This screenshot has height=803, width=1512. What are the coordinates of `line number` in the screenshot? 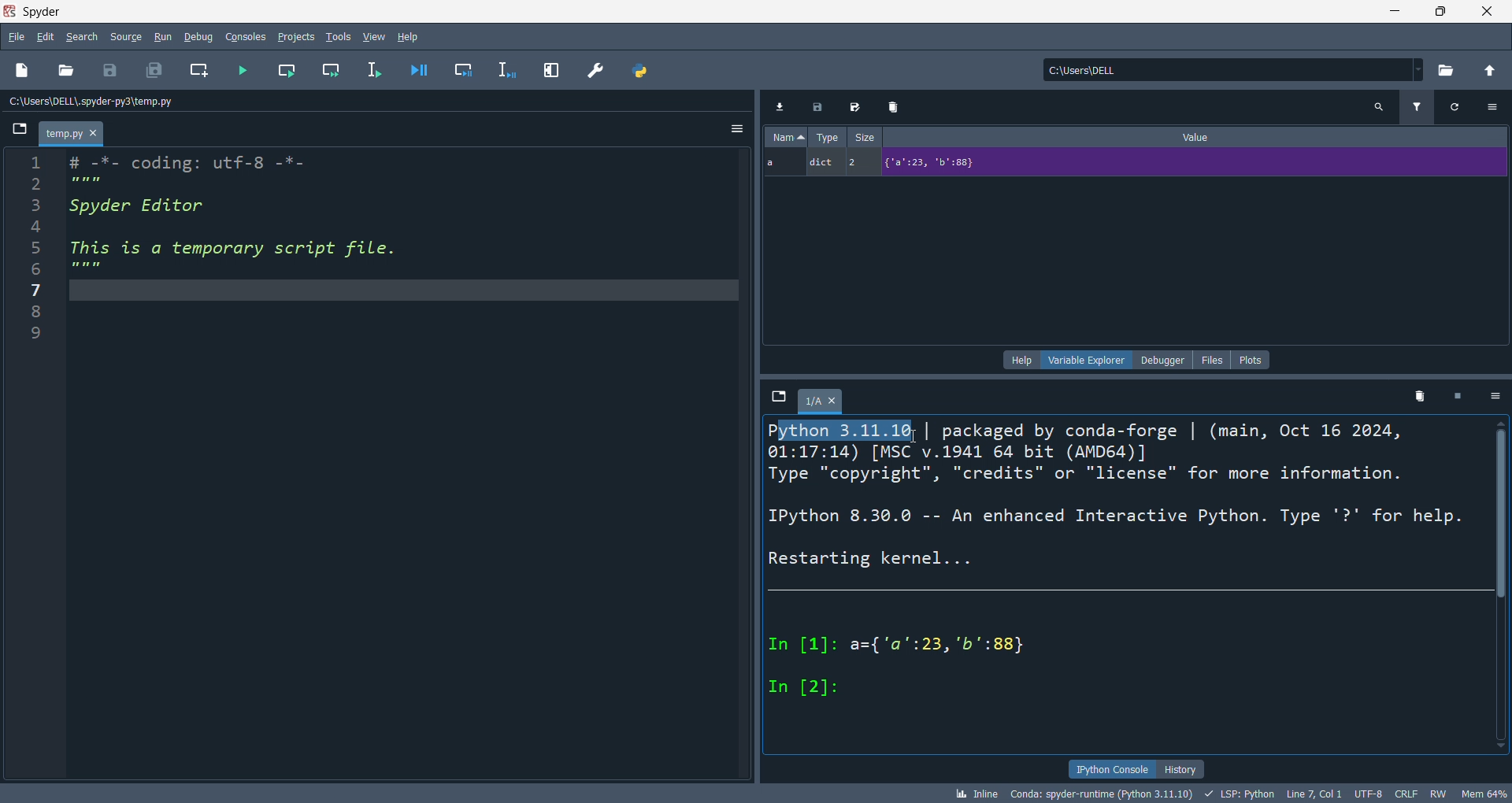 It's located at (31, 464).